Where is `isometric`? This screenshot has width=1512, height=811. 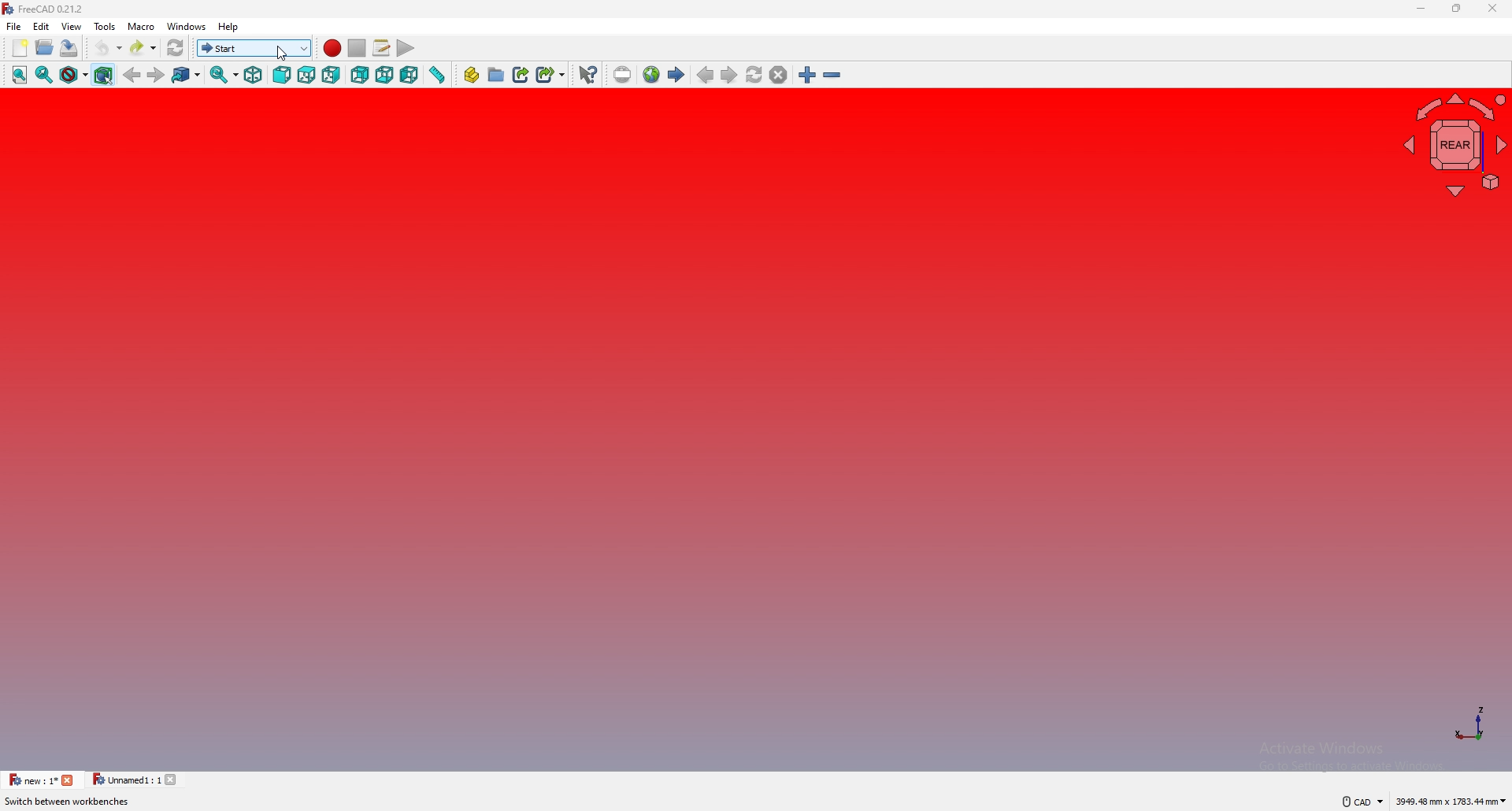 isometric is located at coordinates (254, 75).